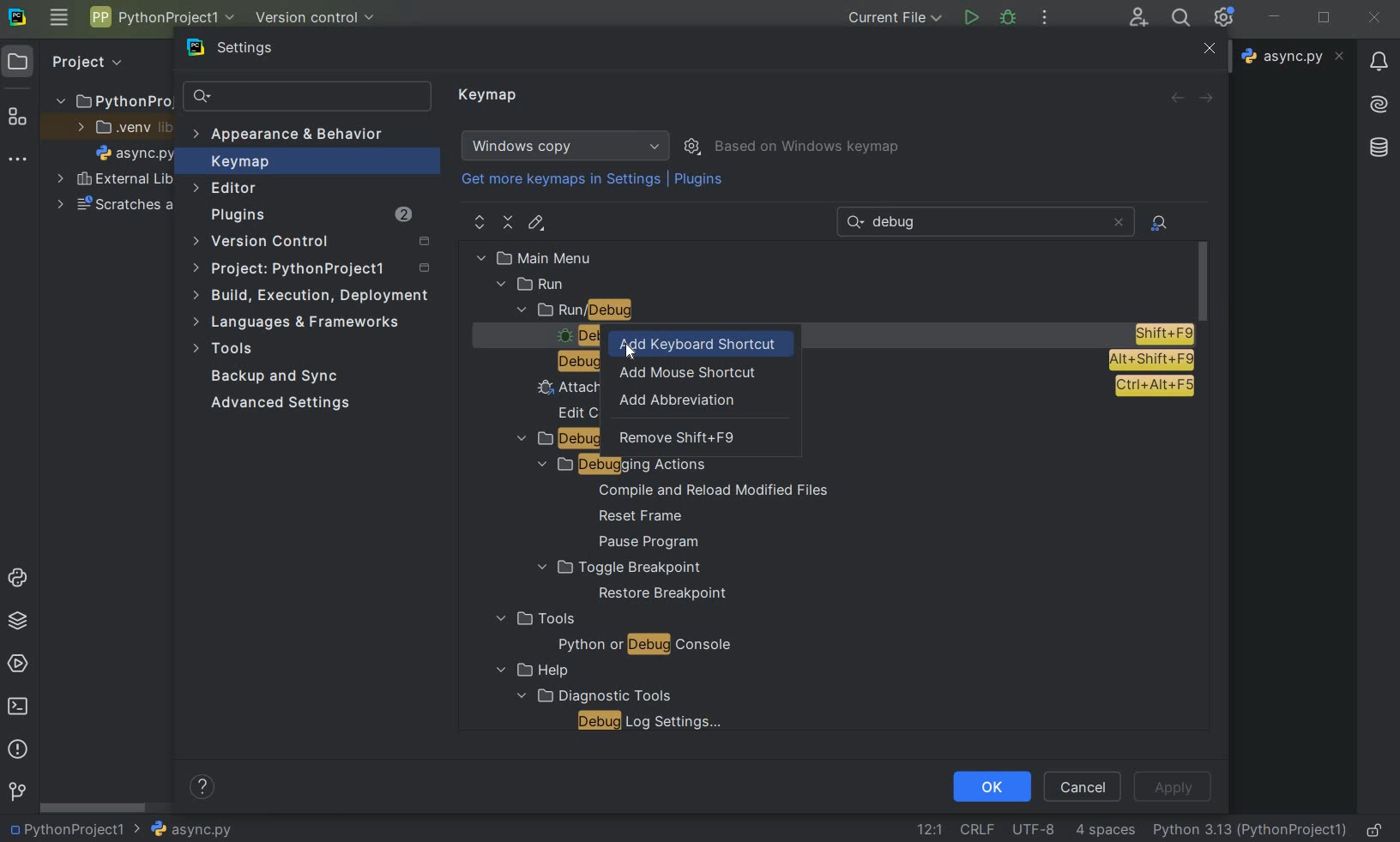 This screenshot has height=842, width=1400. Describe the element at coordinates (202, 790) in the screenshot. I see `show help contents` at that location.